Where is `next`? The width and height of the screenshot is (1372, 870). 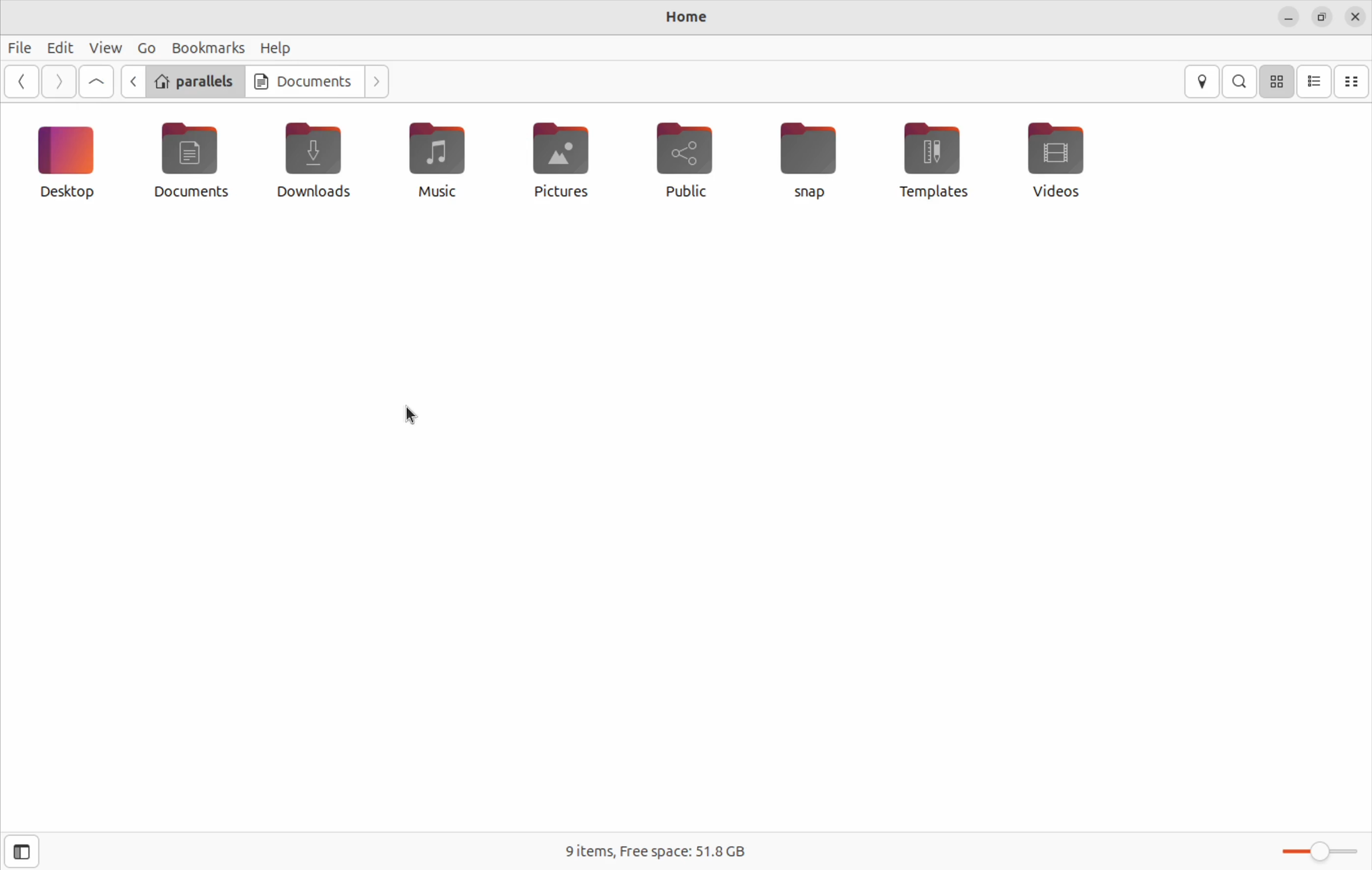
next is located at coordinates (378, 82).